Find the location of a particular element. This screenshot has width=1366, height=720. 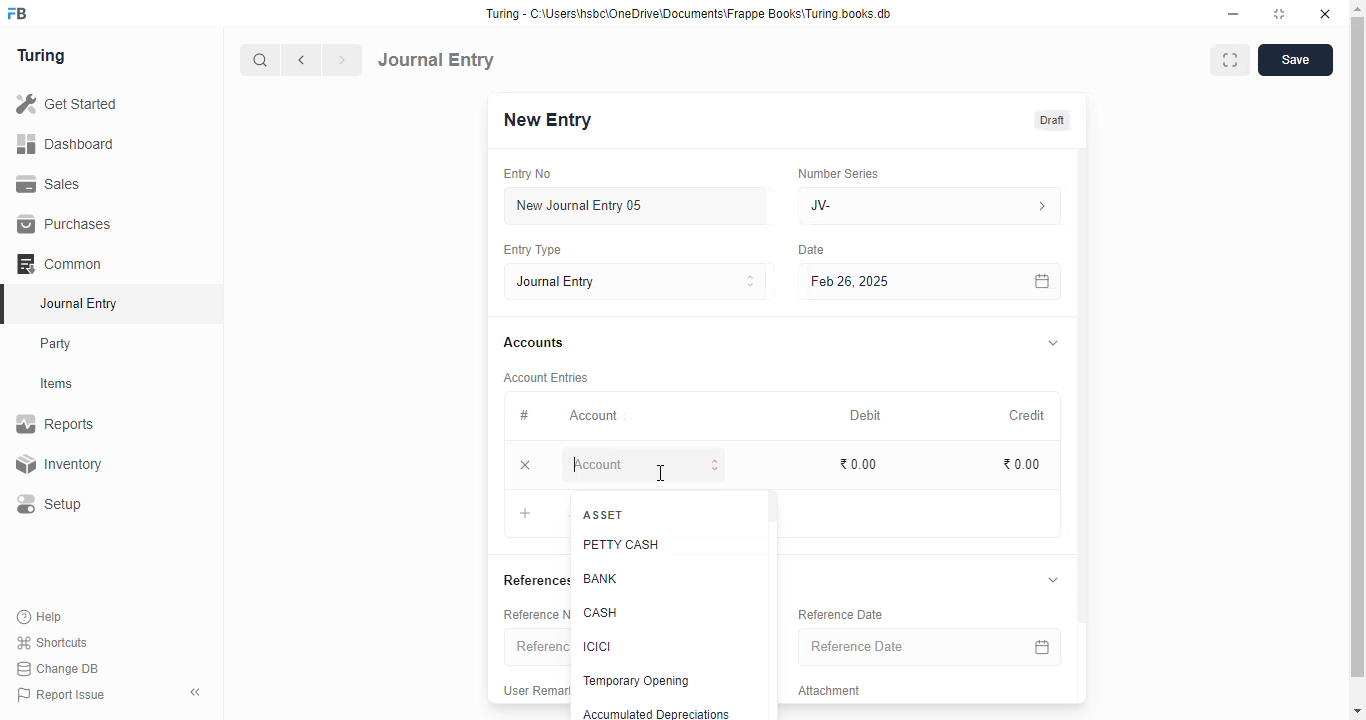

search is located at coordinates (261, 60).